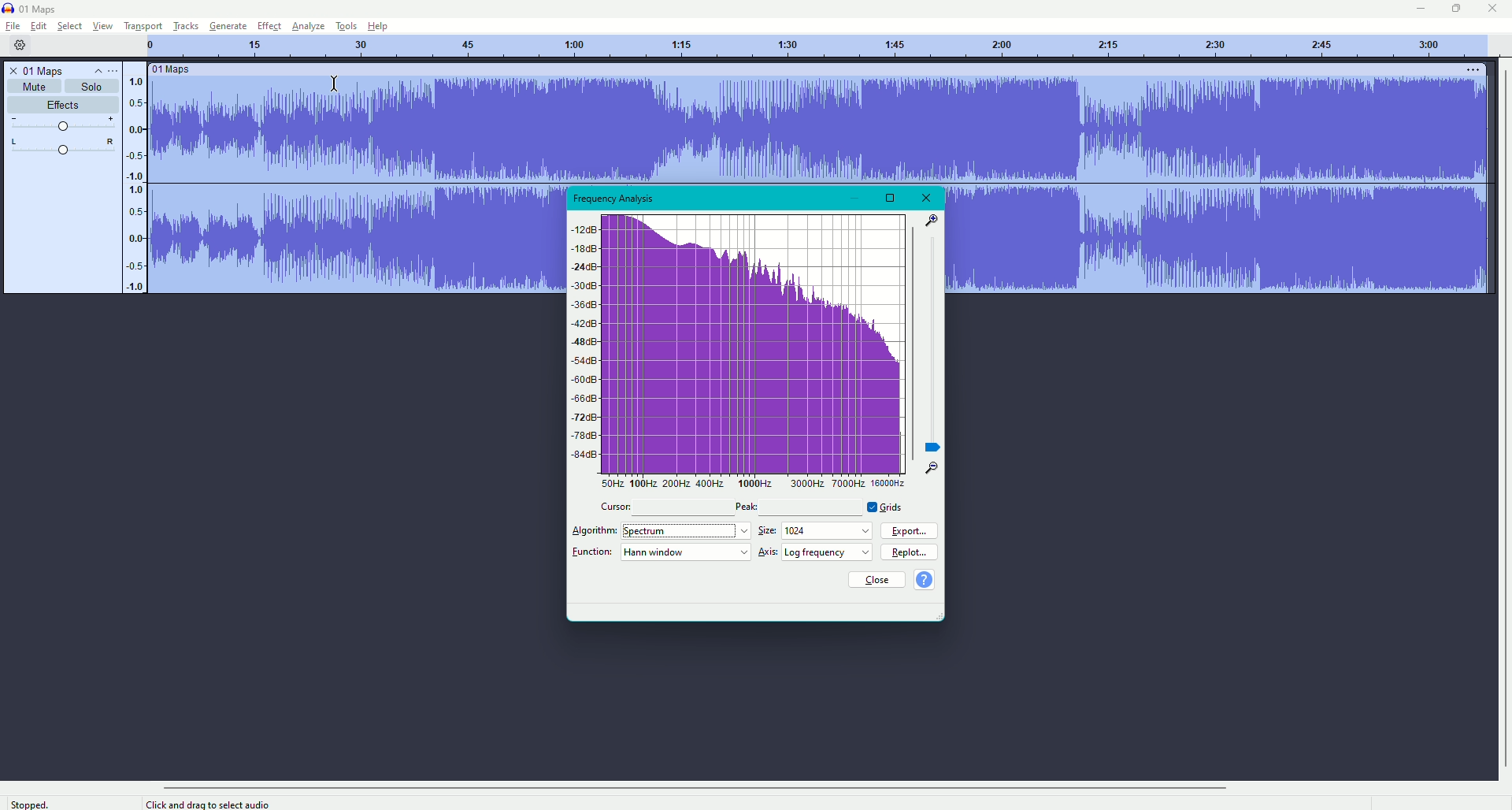 This screenshot has width=1512, height=810. Describe the element at coordinates (37, 25) in the screenshot. I see `Edit` at that location.